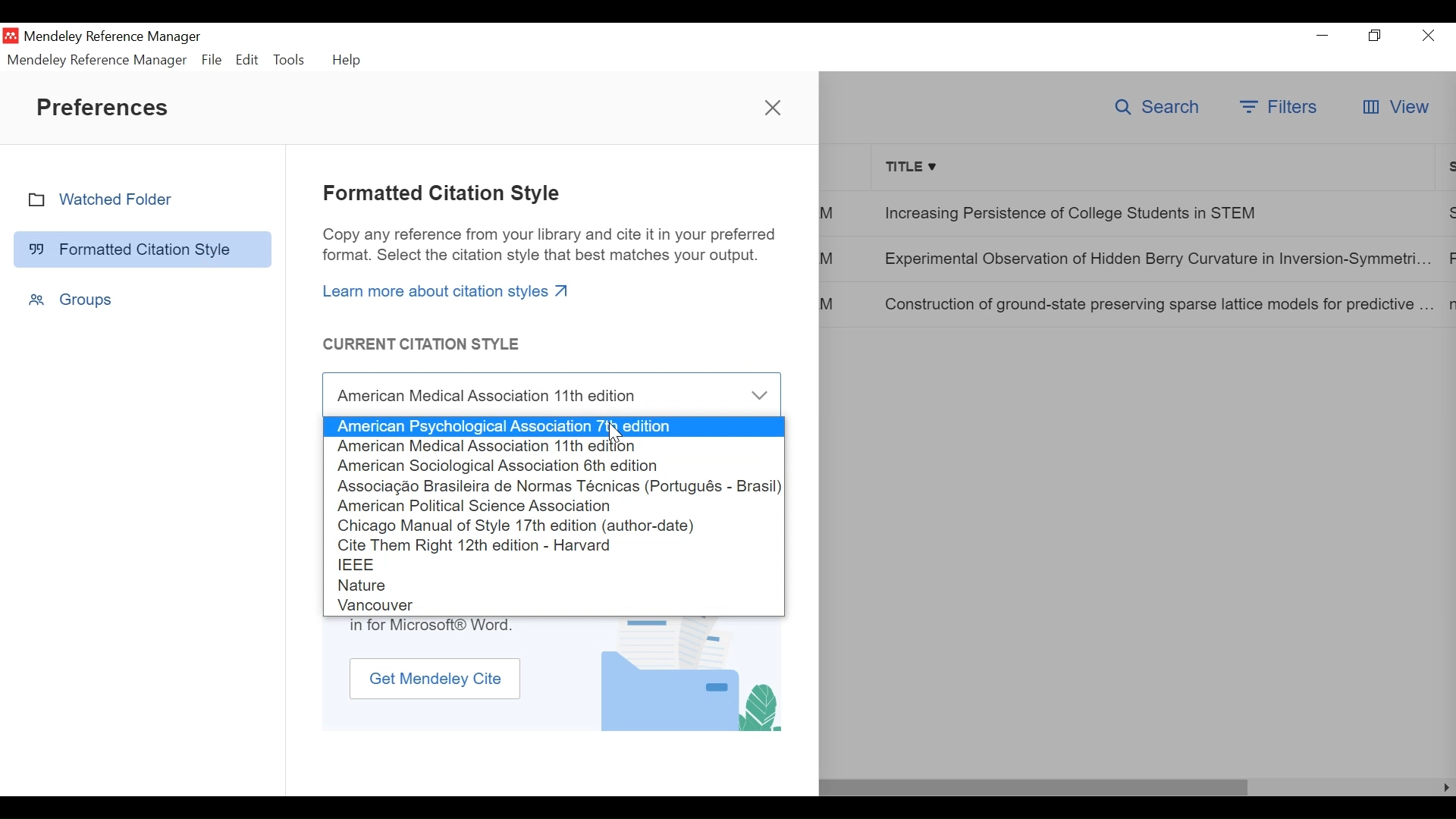 Image resolution: width=1456 pixels, height=819 pixels. I want to click on Associação Brasileira de Normas Técnicas, so click(557, 487).